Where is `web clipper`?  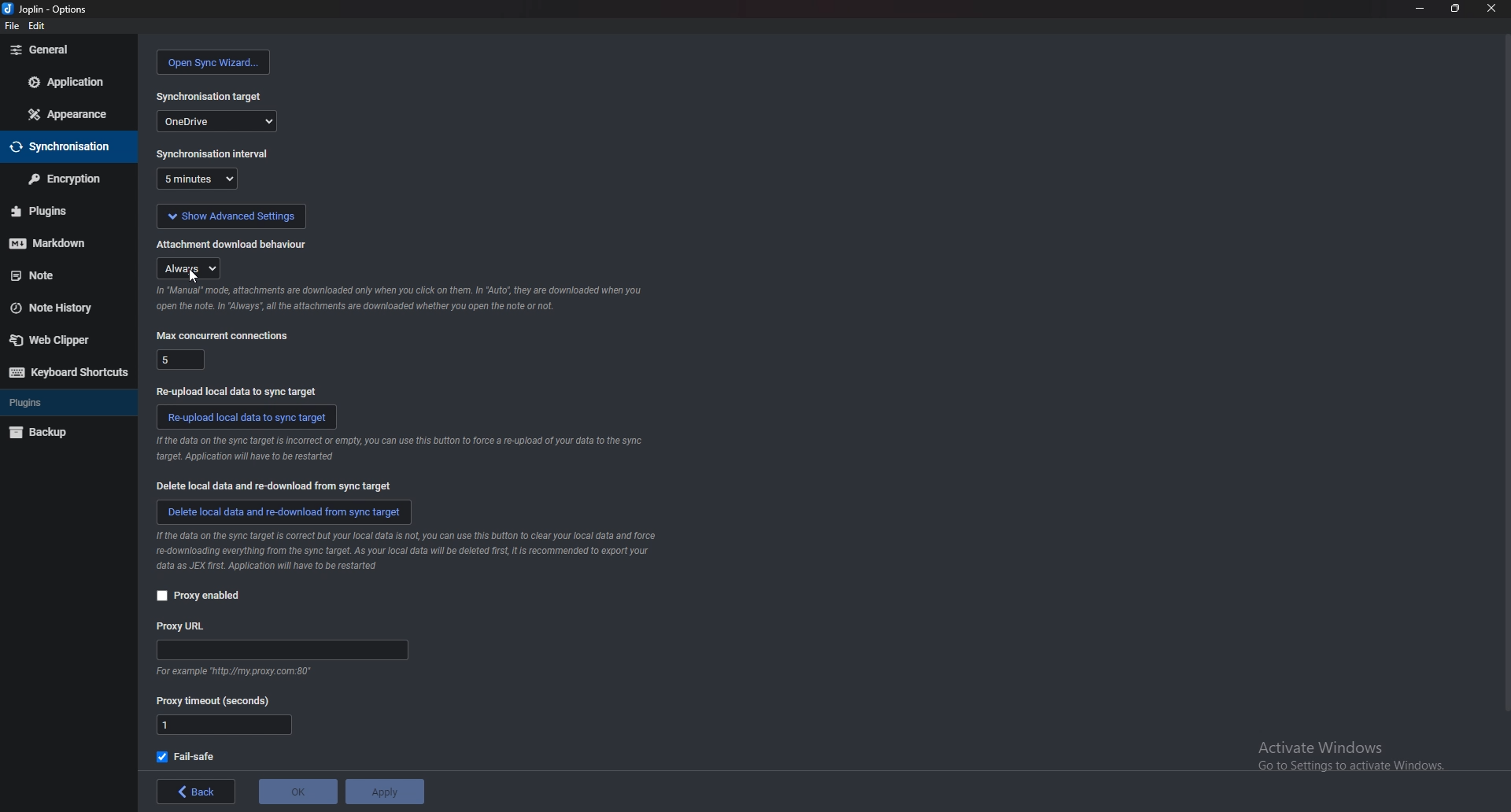 web clipper is located at coordinates (59, 341).